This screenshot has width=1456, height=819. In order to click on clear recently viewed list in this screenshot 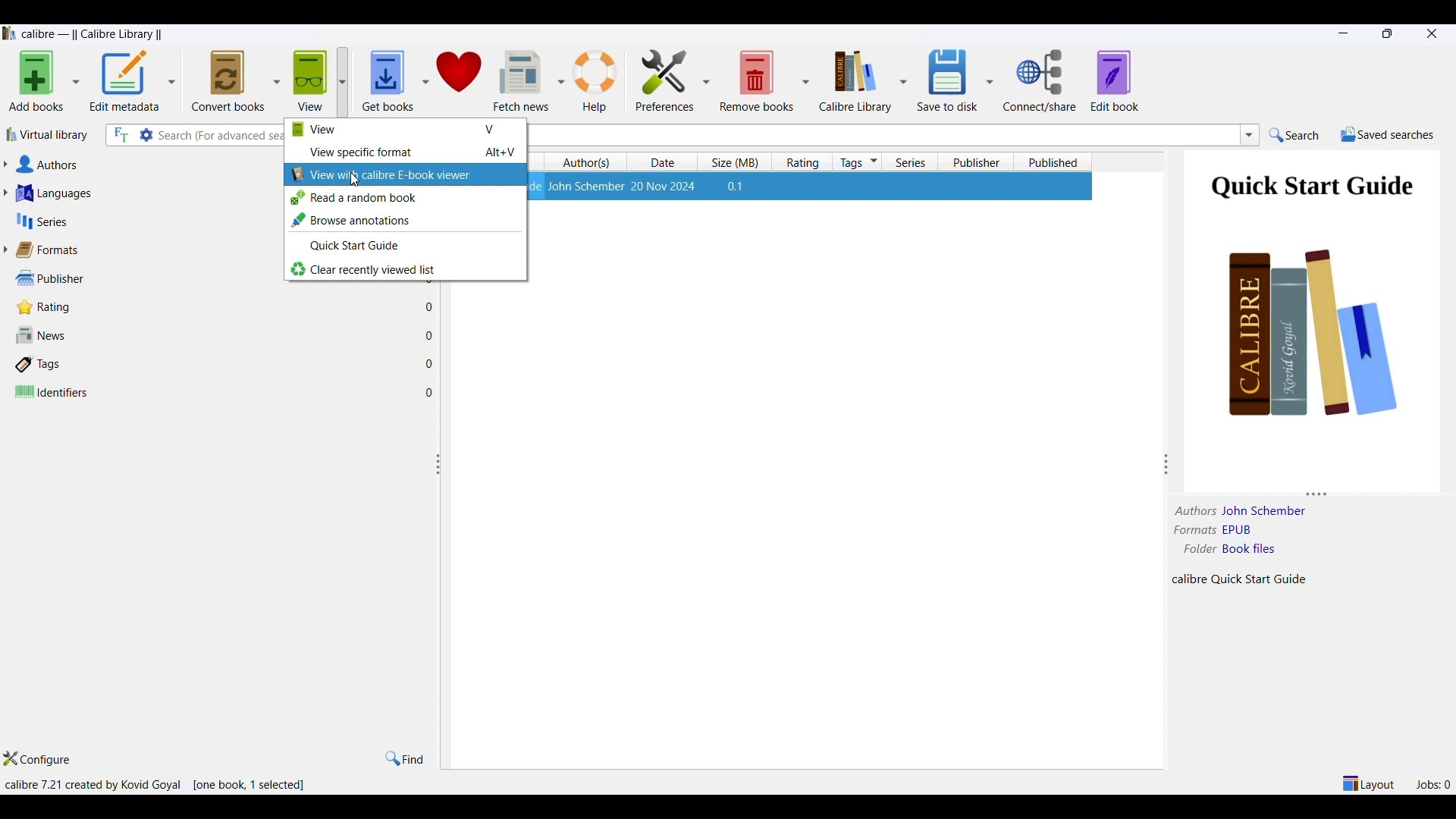, I will do `click(404, 271)`.